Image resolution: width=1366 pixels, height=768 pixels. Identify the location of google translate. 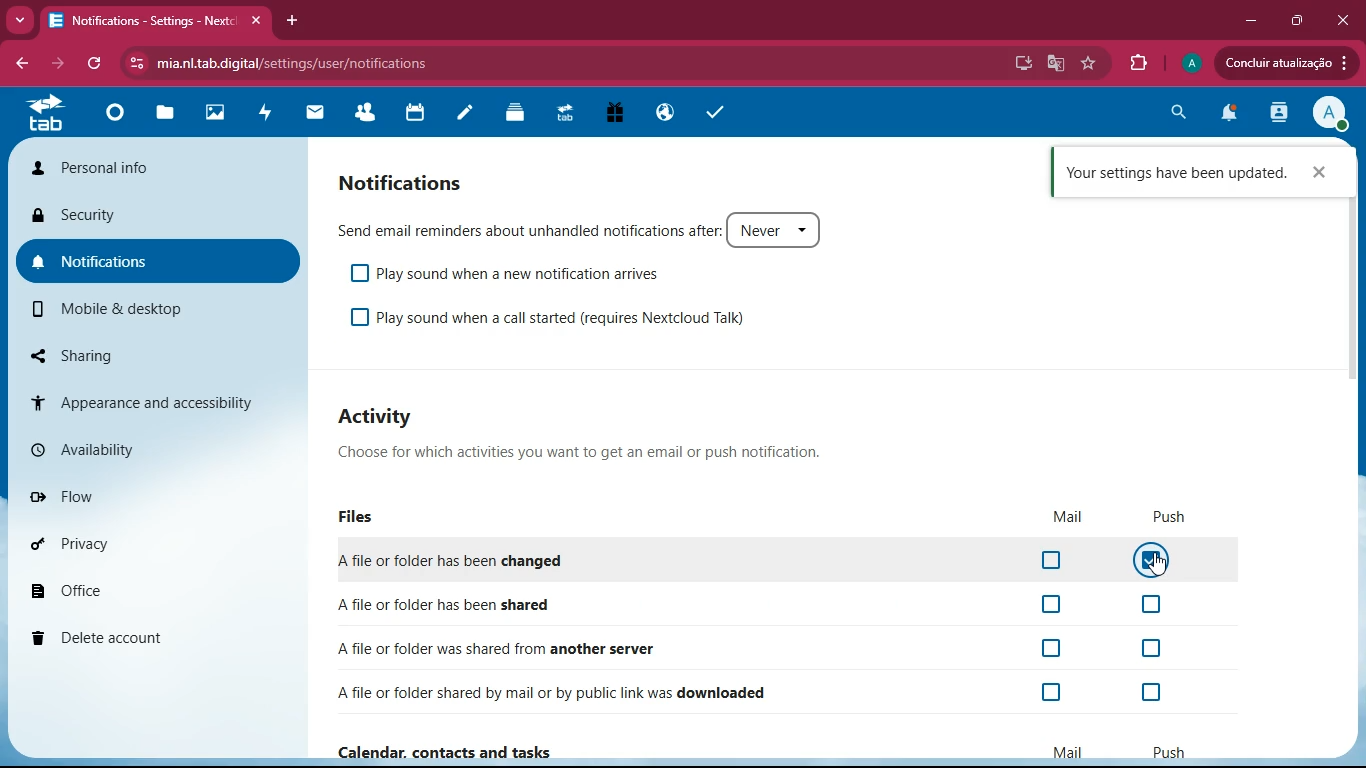
(1054, 66).